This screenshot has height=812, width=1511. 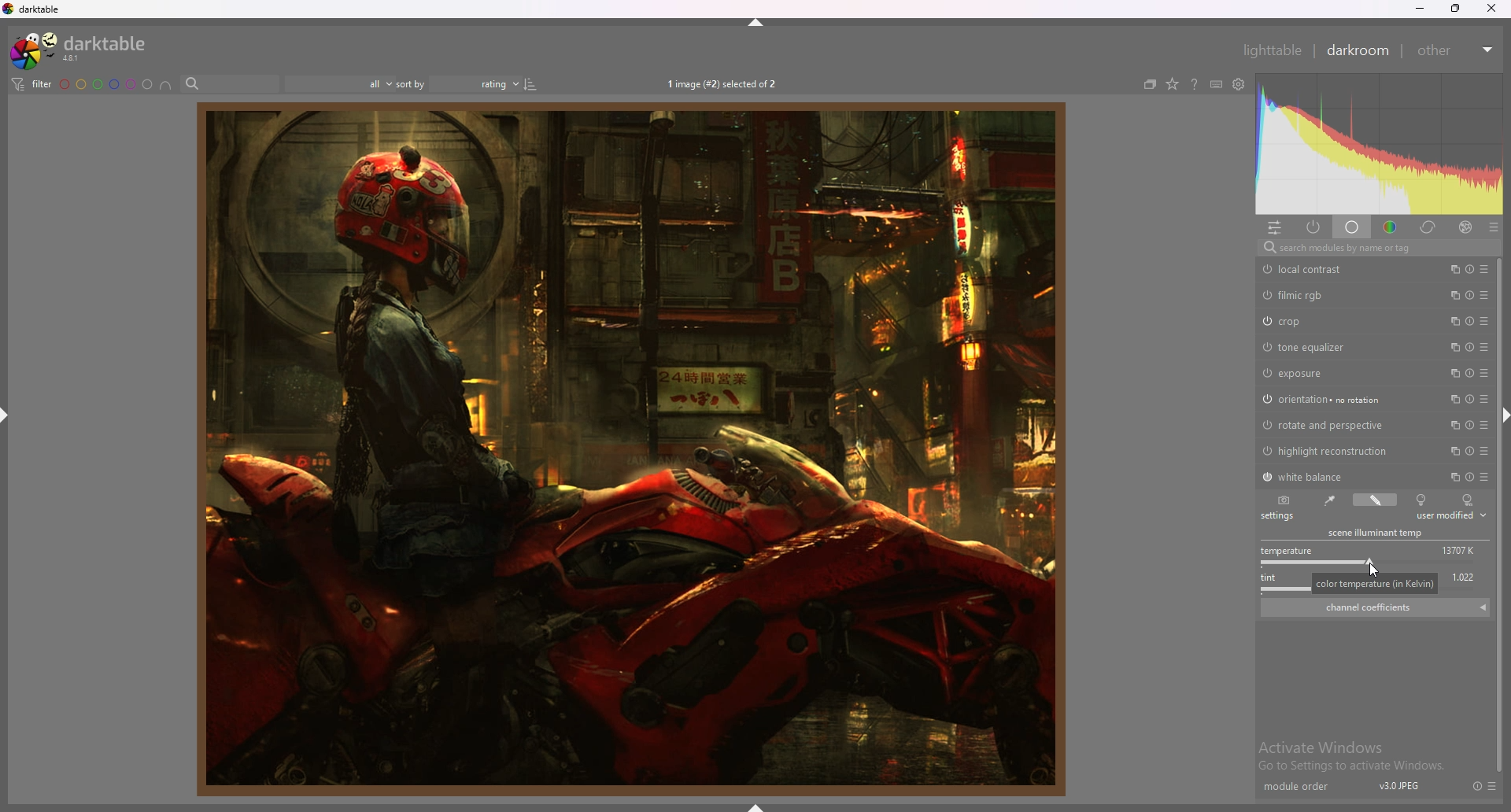 What do you see at coordinates (1456, 50) in the screenshot?
I see `other` at bounding box center [1456, 50].